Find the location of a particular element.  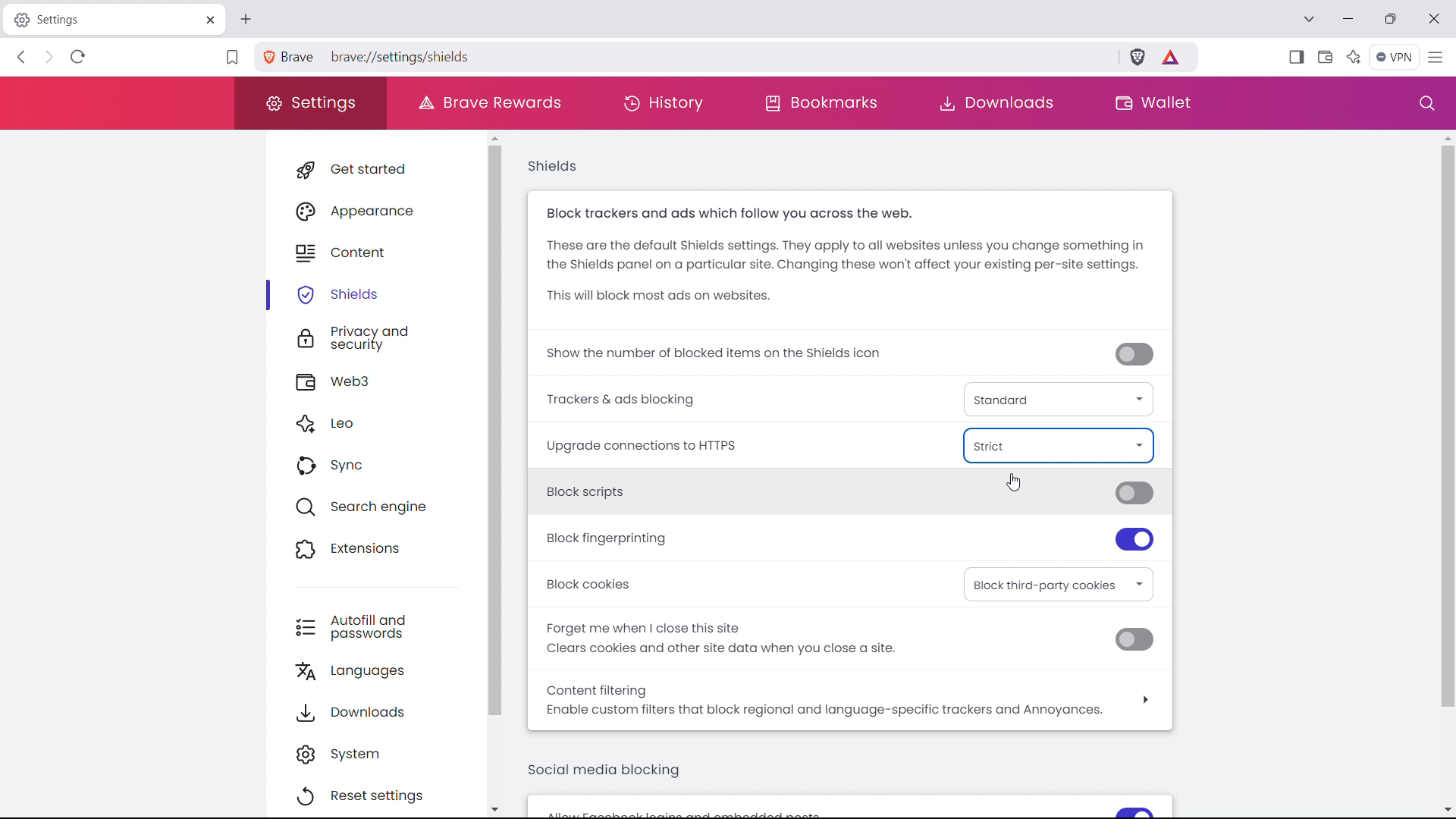

toggle off is located at coordinates (1133, 490).